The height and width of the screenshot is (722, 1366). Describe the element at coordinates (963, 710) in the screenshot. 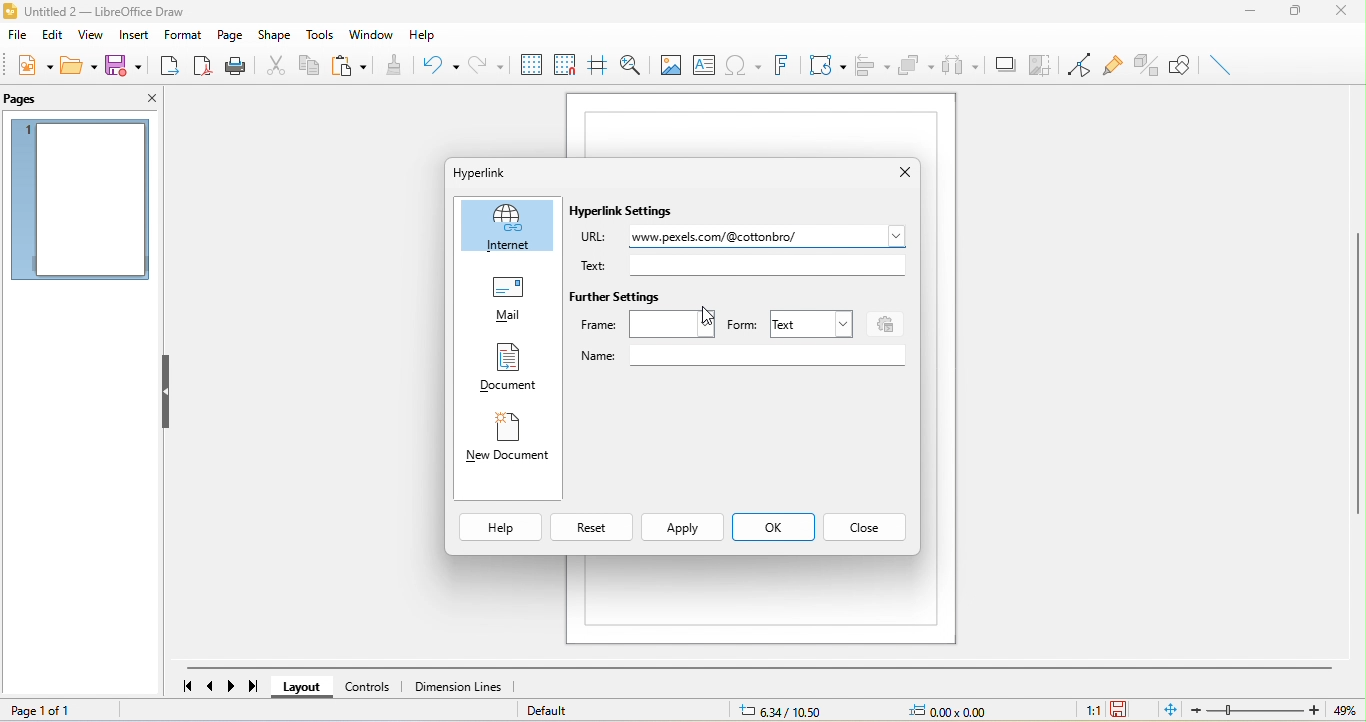

I see `0.00x0.00` at that location.